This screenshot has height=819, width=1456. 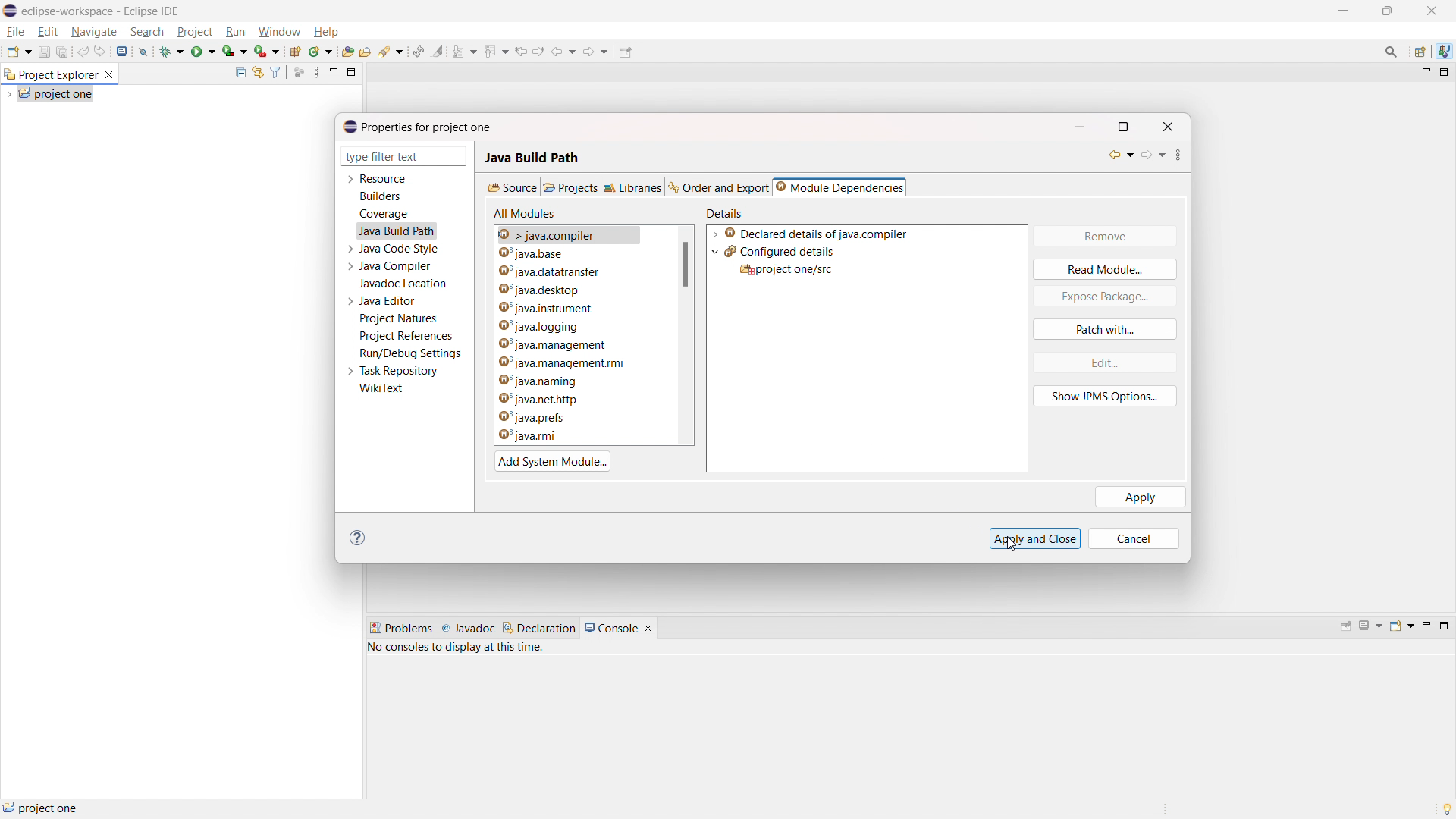 What do you see at coordinates (1346, 627) in the screenshot?
I see `pin console` at bounding box center [1346, 627].